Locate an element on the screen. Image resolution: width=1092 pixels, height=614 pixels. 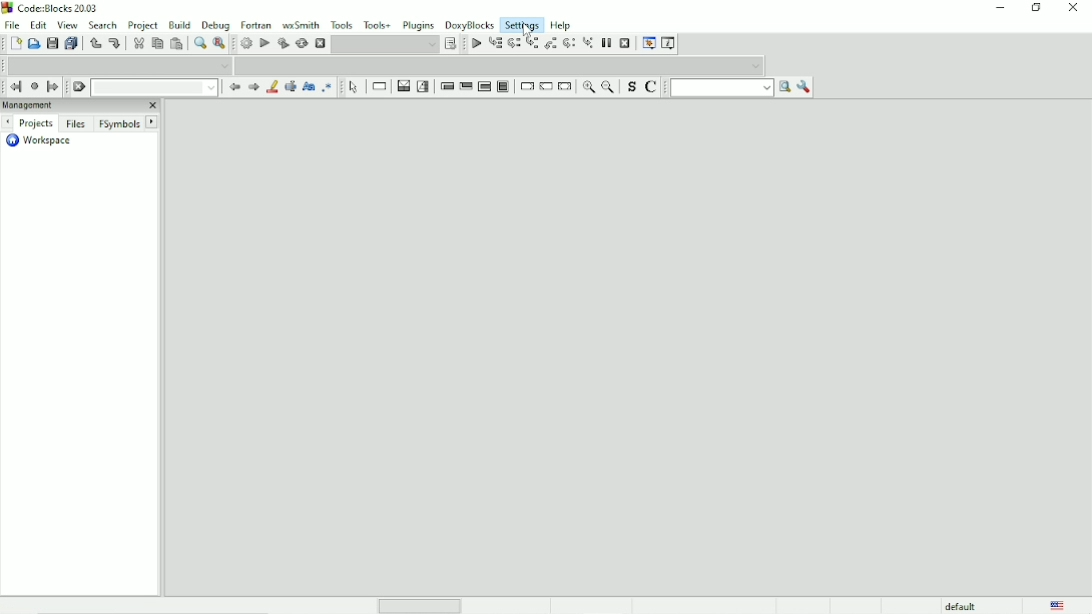
Minimize is located at coordinates (996, 8).